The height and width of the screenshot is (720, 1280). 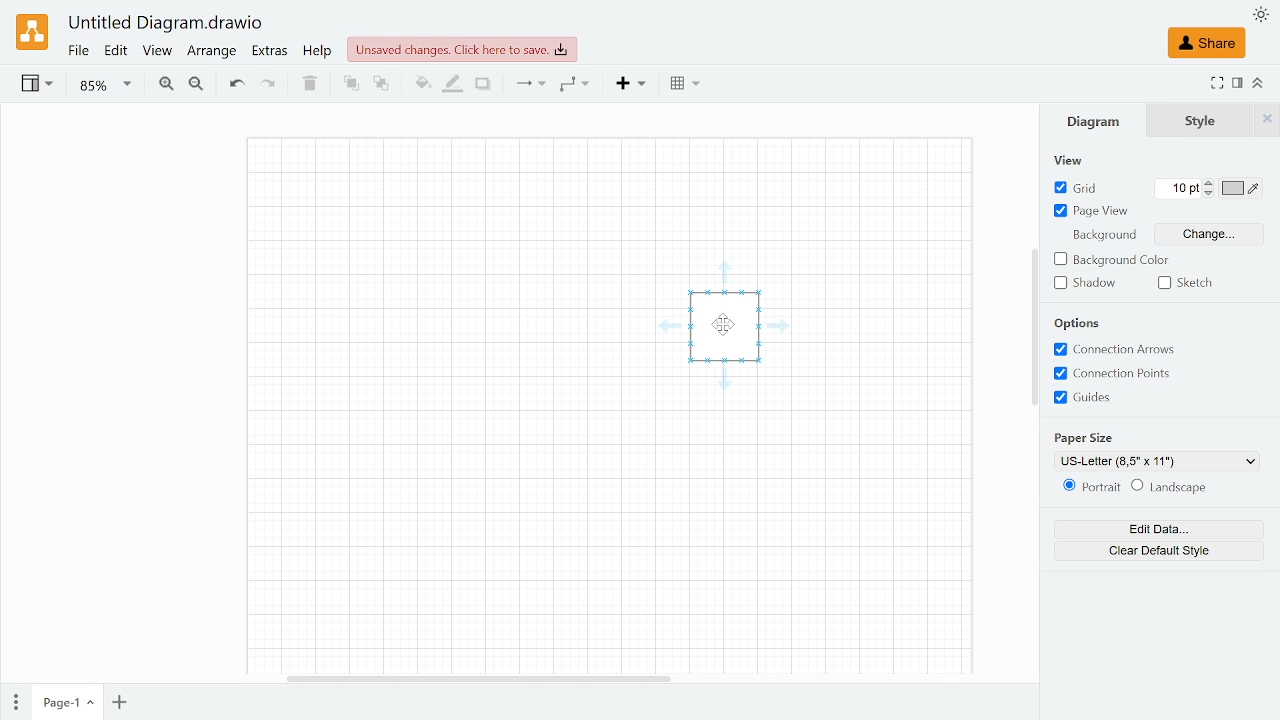 What do you see at coordinates (318, 51) in the screenshot?
I see `Help` at bounding box center [318, 51].